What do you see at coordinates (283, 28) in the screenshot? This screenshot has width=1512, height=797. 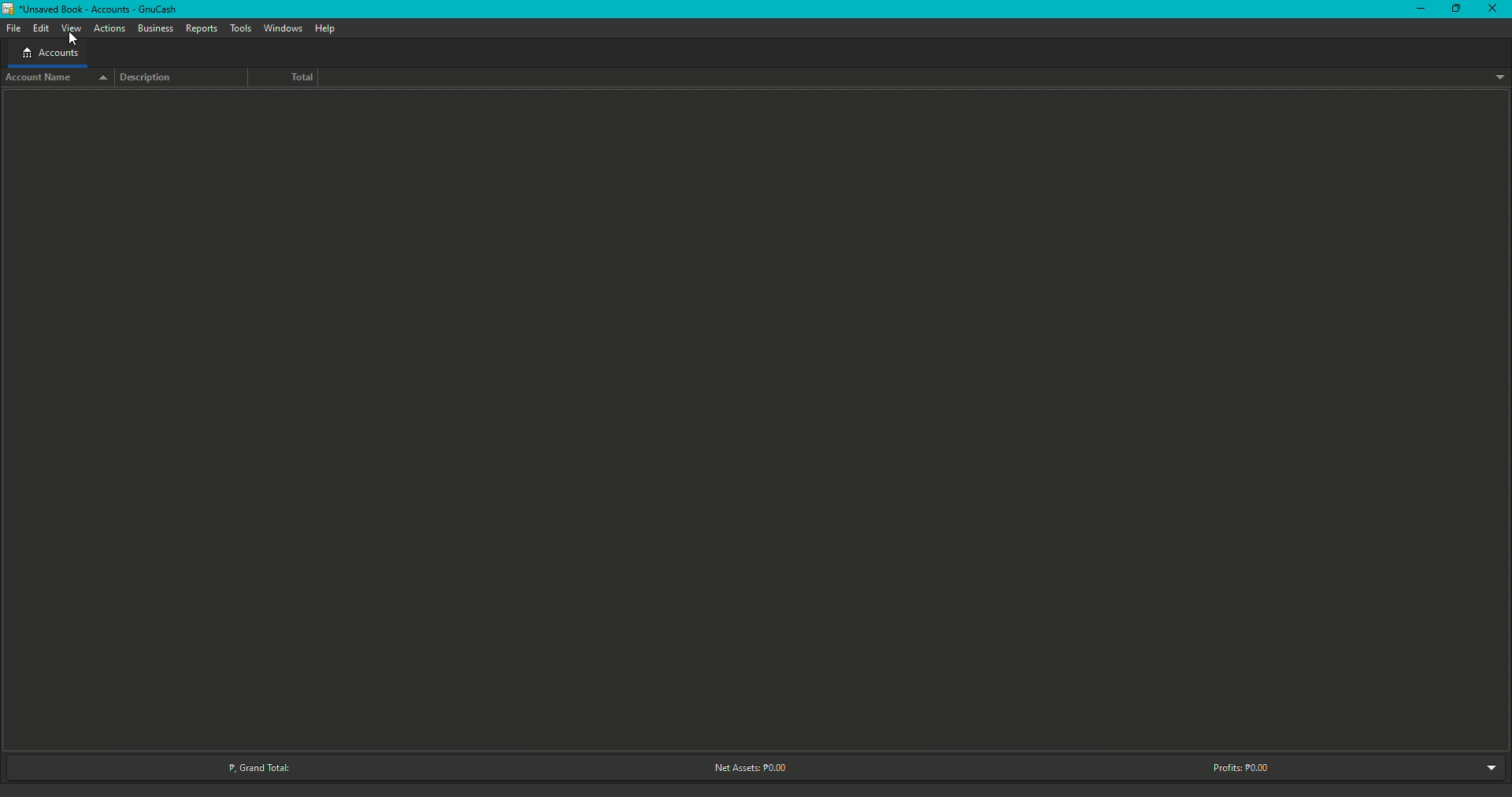 I see `Windows` at bounding box center [283, 28].